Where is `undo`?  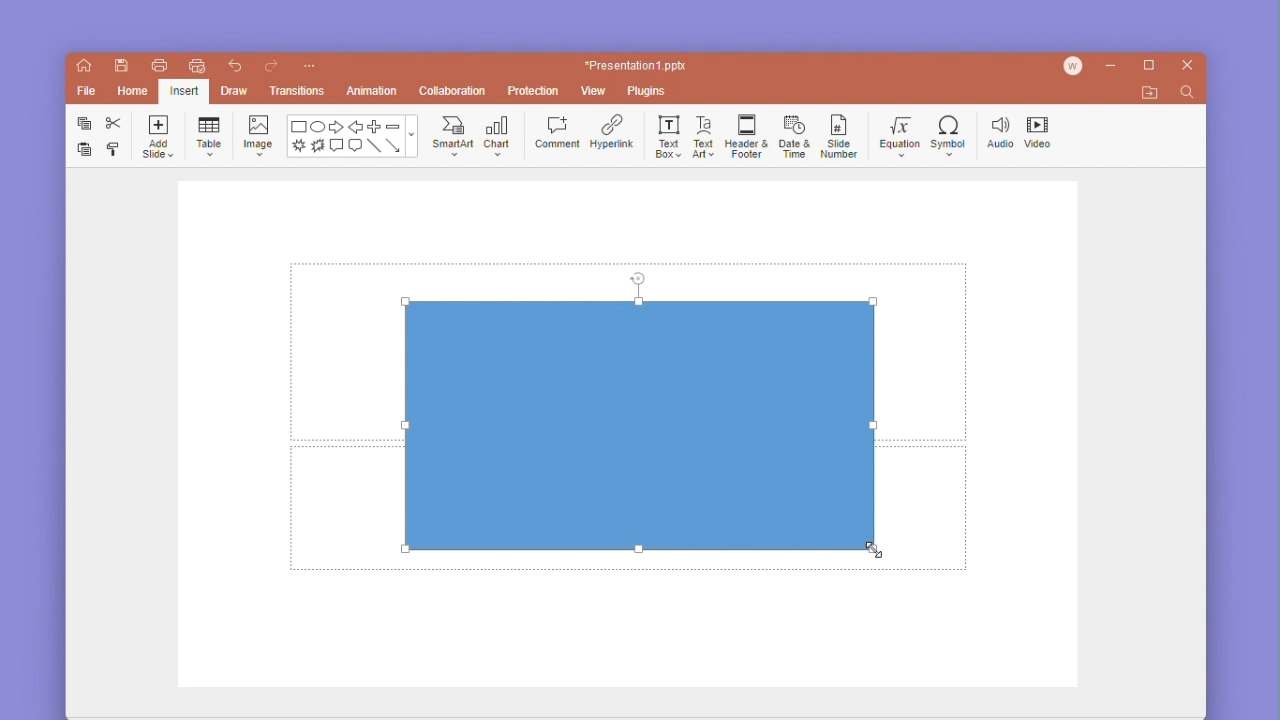 undo is located at coordinates (233, 65).